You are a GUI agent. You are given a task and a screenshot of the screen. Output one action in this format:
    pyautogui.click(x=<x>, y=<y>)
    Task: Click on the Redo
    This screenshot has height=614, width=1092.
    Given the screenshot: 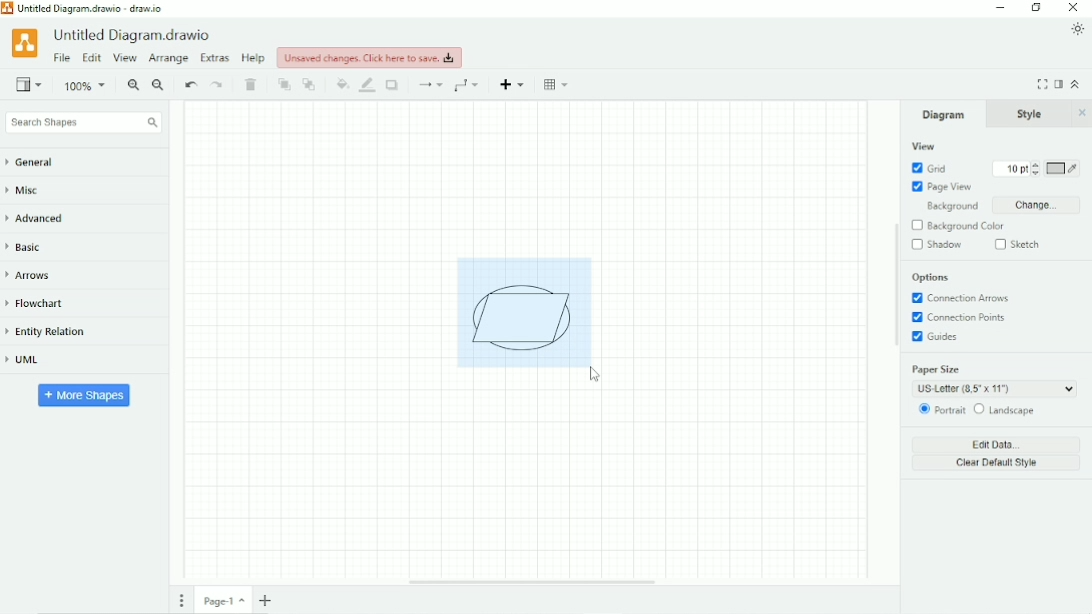 What is the action you would take?
    pyautogui.click(x=218, y=85)
    